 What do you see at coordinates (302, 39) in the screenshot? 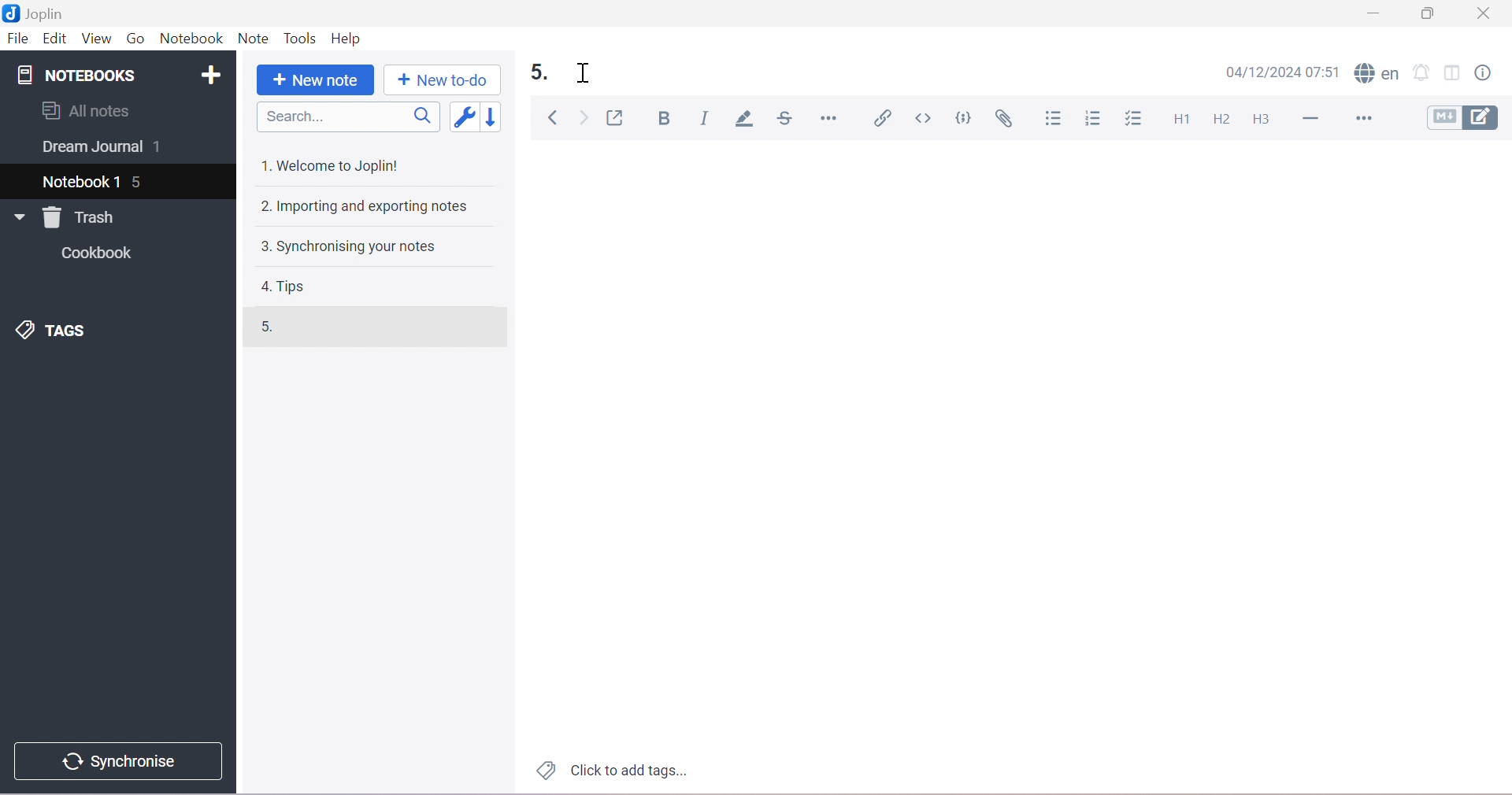
I see `Tools` at bounding box center [302, 39].